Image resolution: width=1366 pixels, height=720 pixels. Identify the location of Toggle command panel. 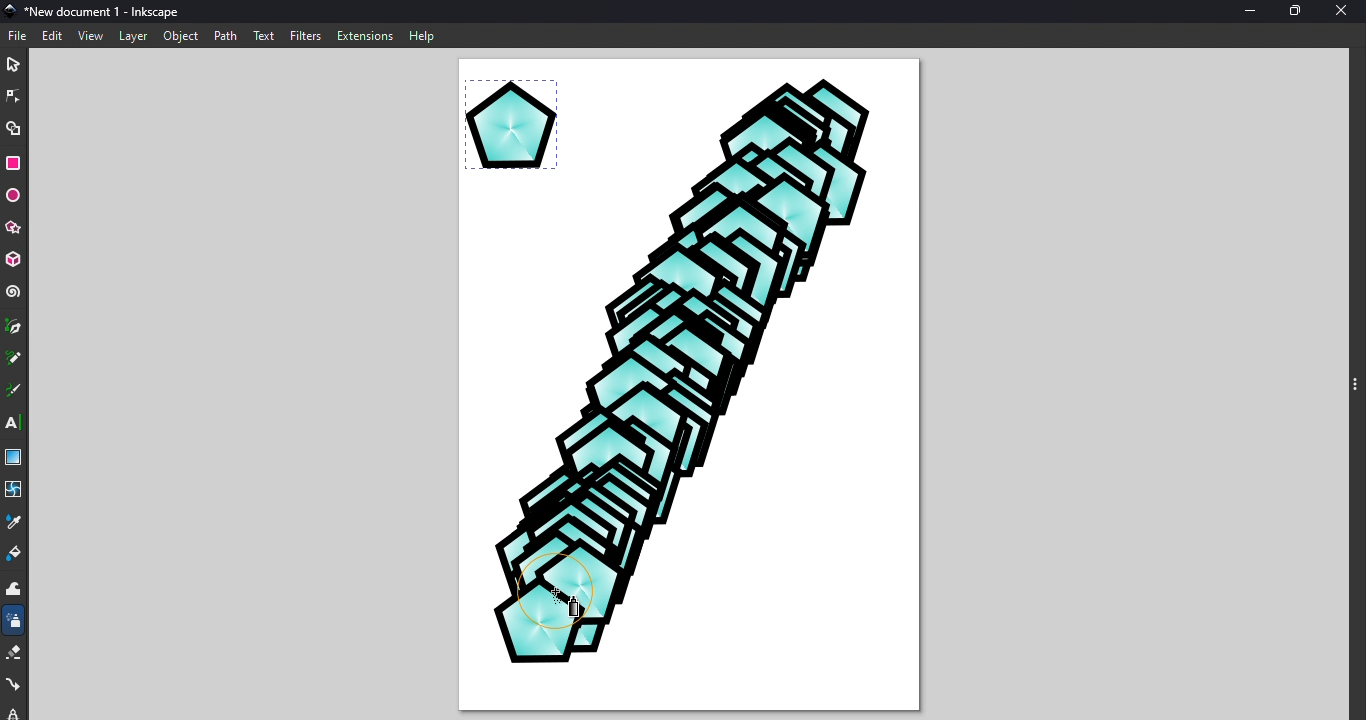
(1340, 387).